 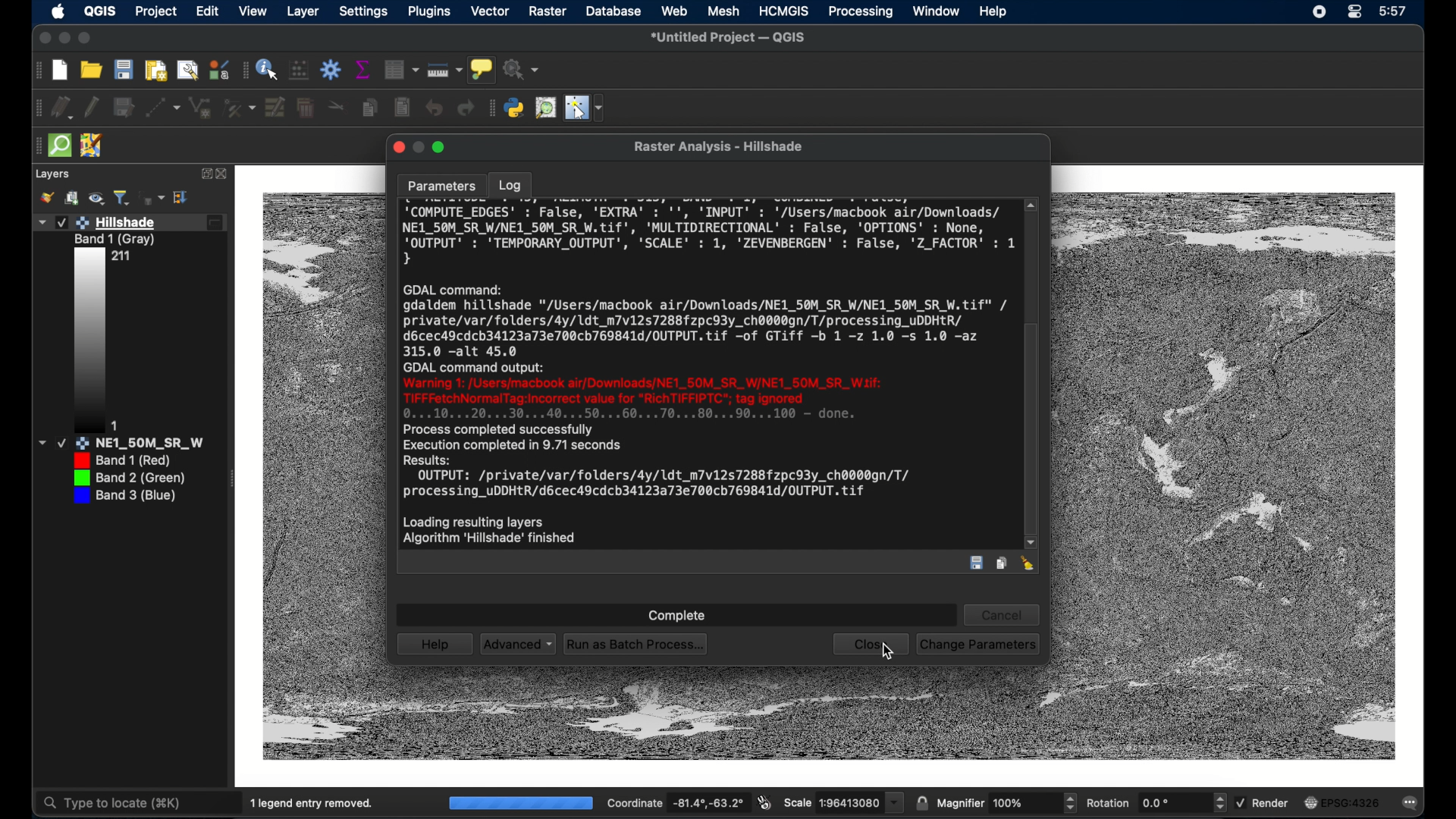 I want to click on cut, so click(x=337, y=106).